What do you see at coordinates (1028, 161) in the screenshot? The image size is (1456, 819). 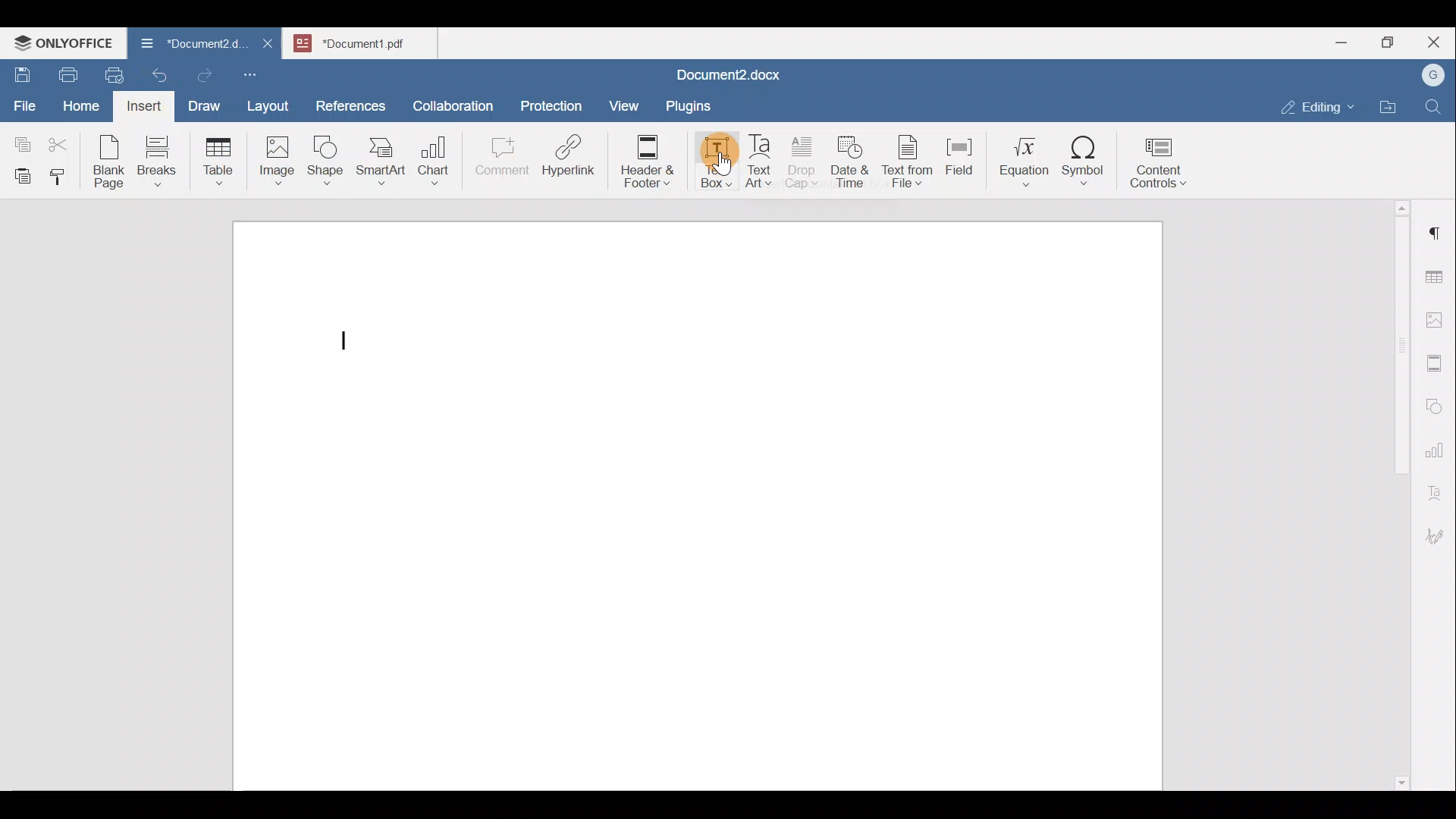 I see `Equation` at bounding box center [1028, 161].